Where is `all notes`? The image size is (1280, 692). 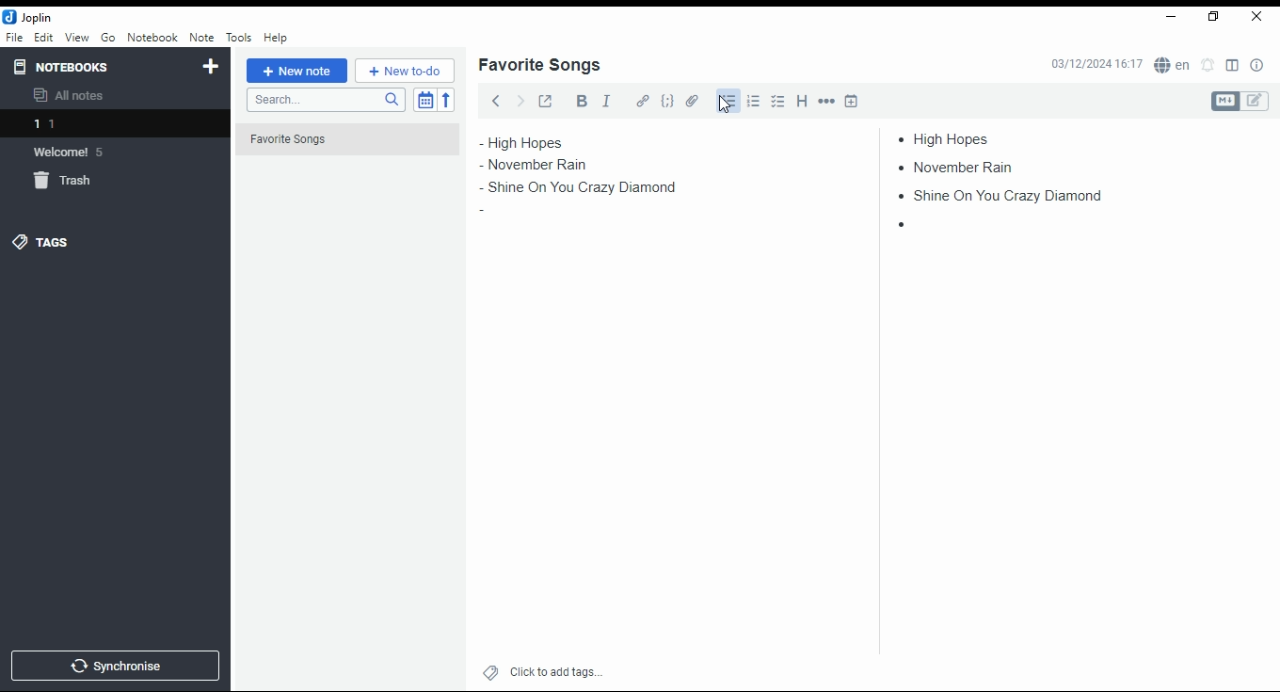 all notes is located at coordinates (74, 96).